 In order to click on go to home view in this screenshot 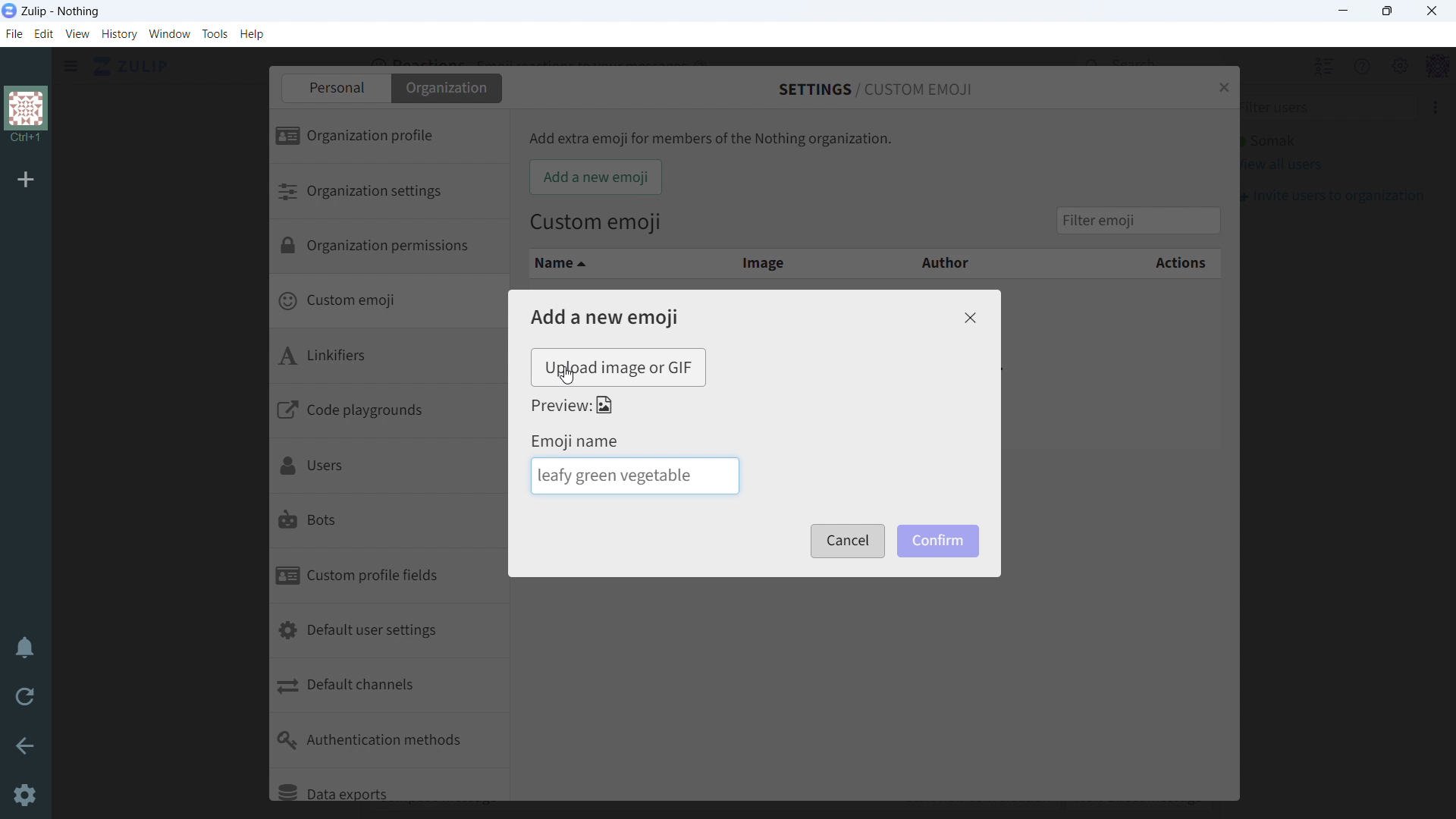, I will do `click(131, 67)`.